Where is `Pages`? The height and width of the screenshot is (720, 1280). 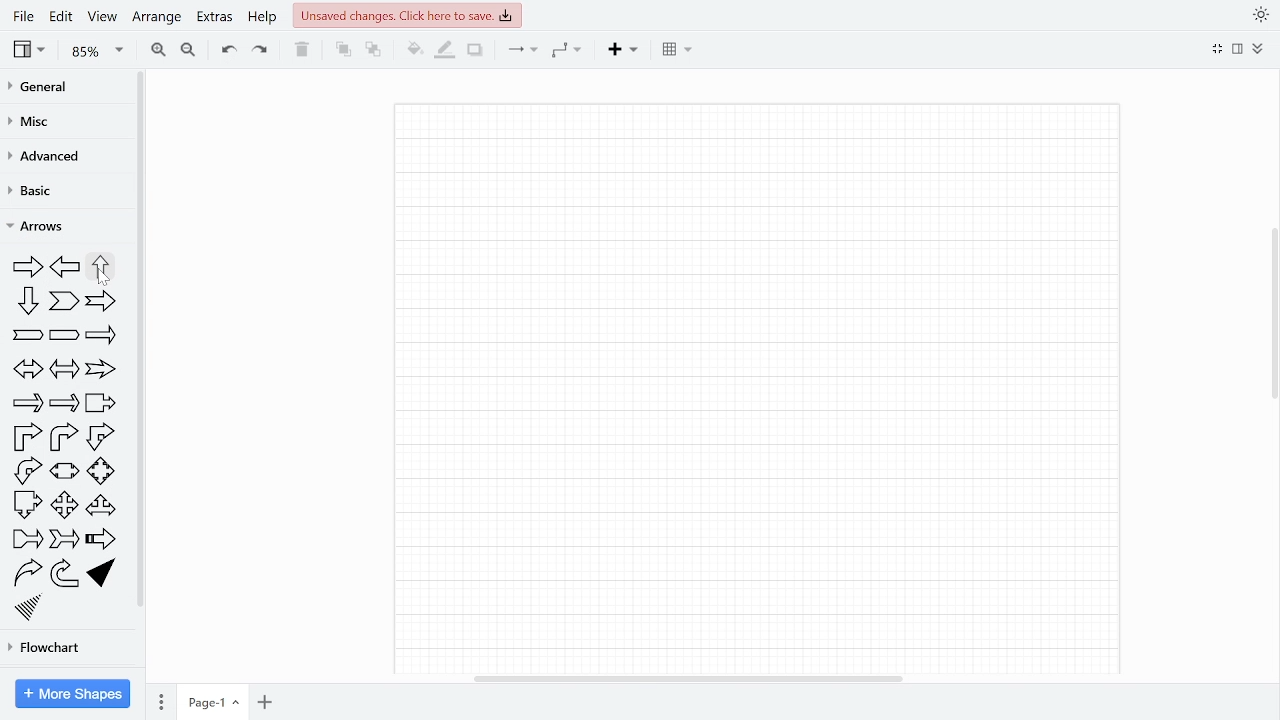
Pages is located at coordinates (161, 700).